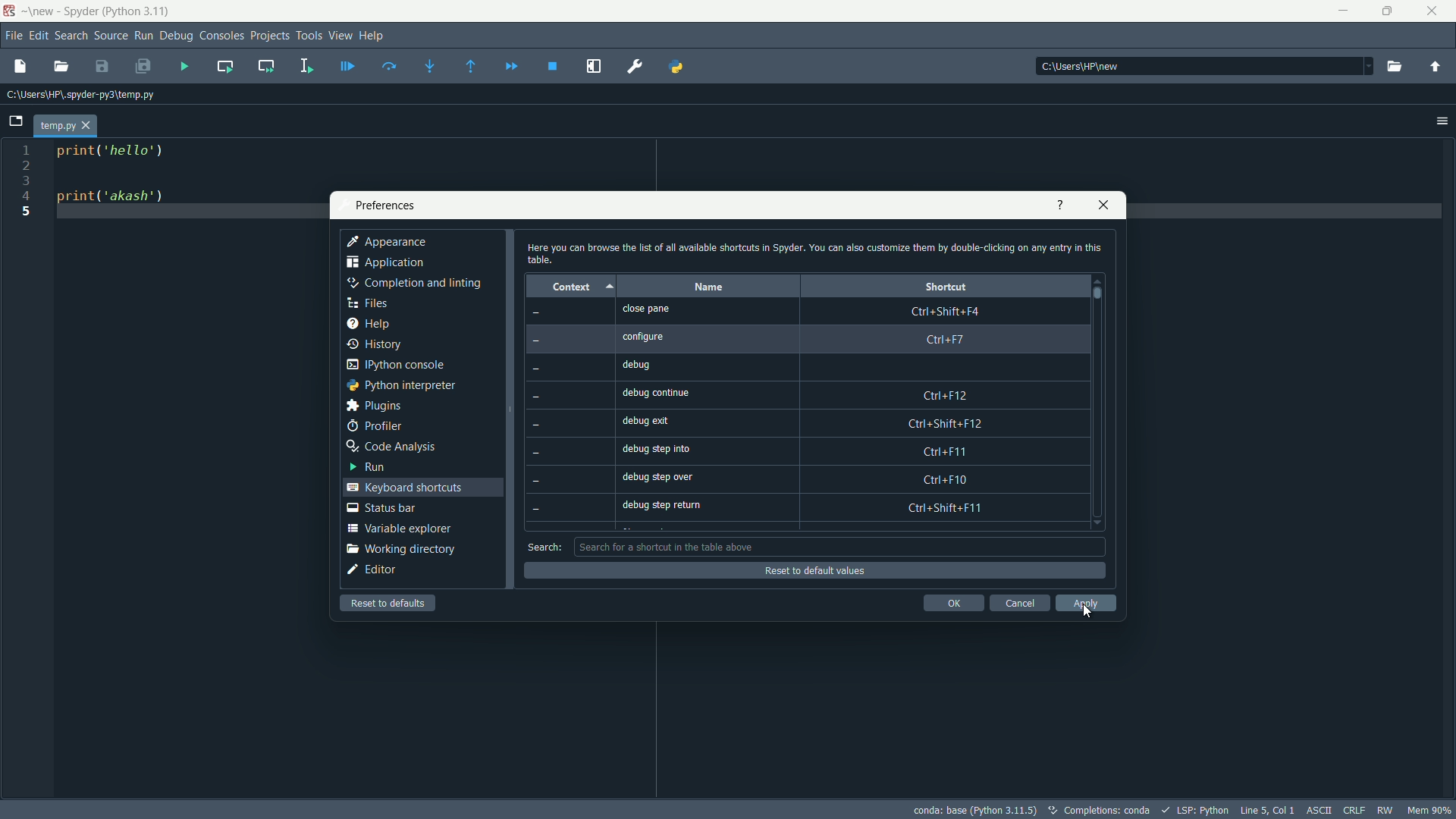 The height and width of the screenshot is (819, 1456). What do you see at coordinates (369, 322) in the screenshot?
I see `help` at bounding box center [369, 322].